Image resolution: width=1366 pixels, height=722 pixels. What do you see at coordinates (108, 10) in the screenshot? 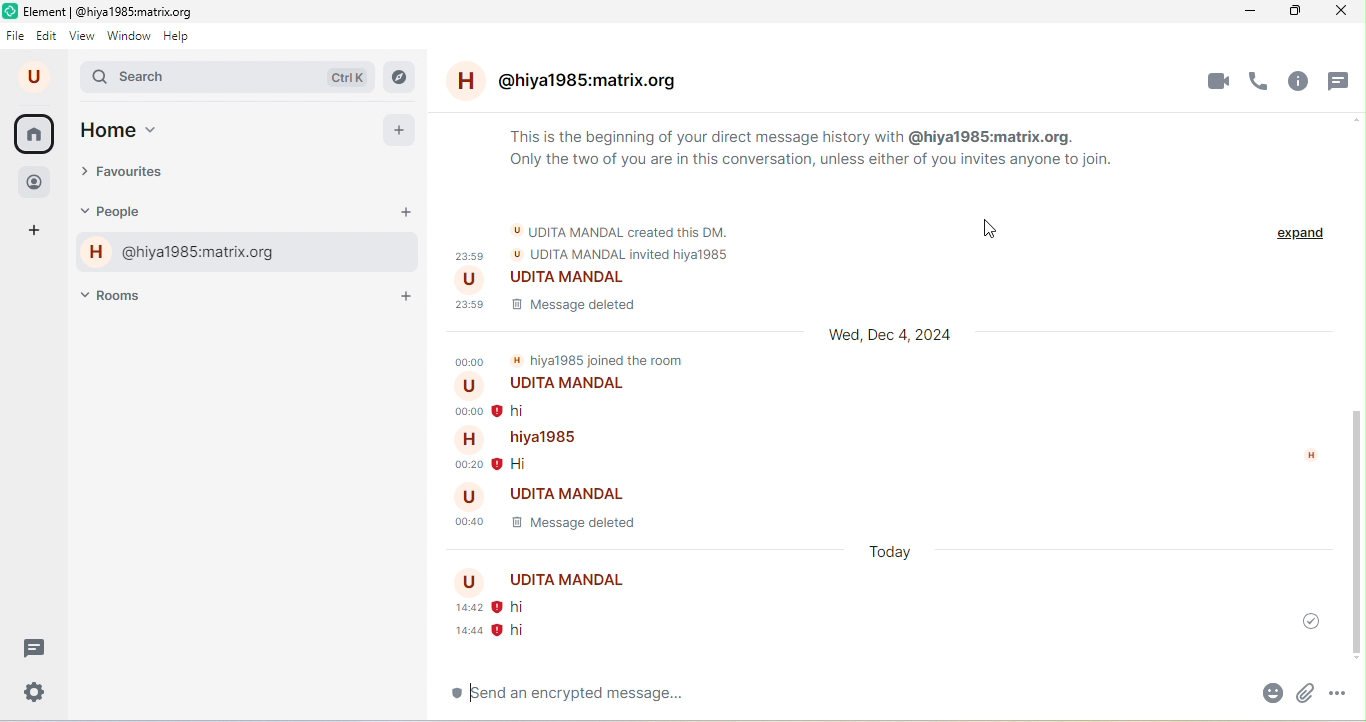
I see `title` at bounding box center [108, 10].